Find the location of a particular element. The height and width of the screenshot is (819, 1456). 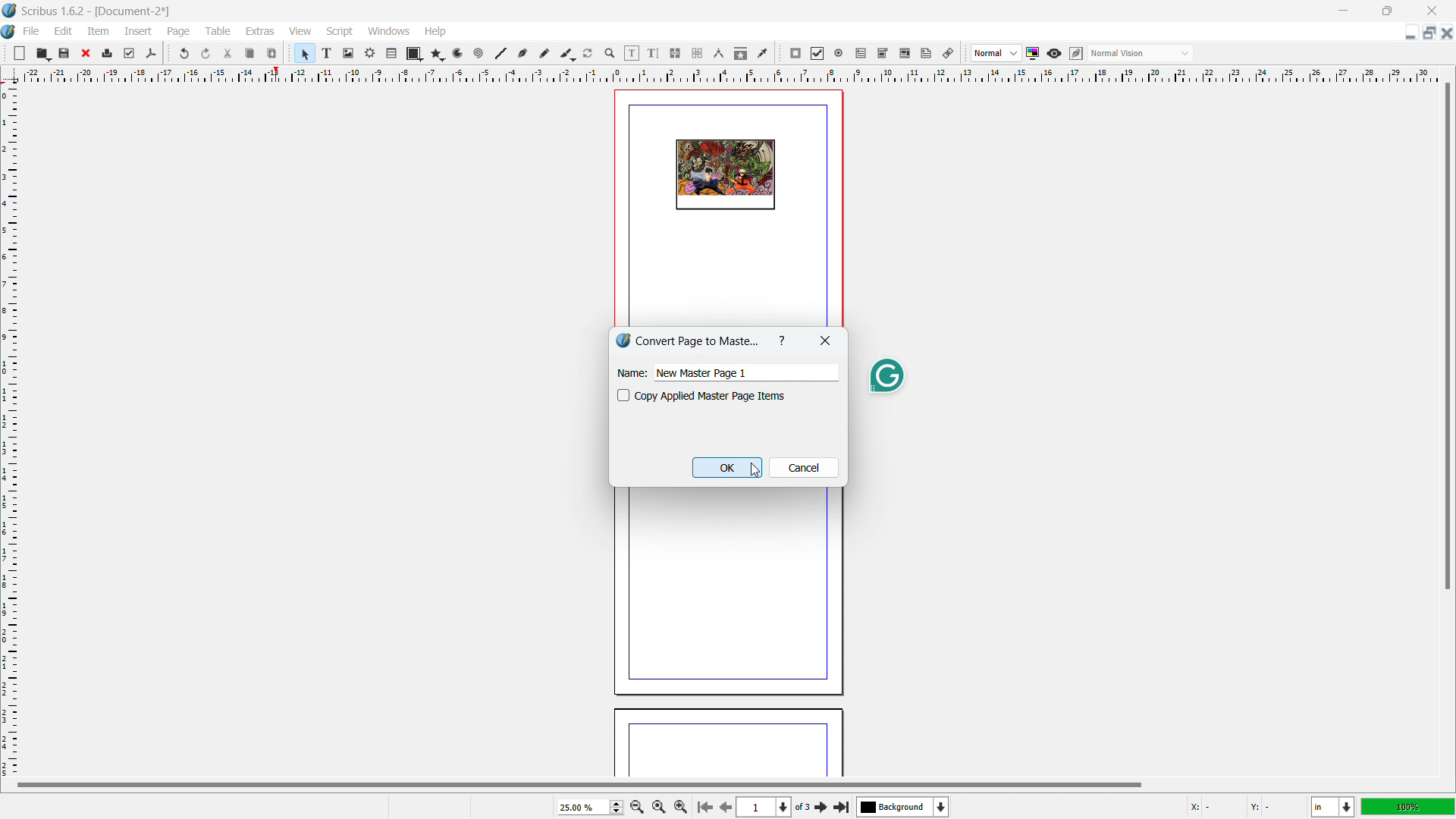

move toolbox is located at coordinates (965, 54).